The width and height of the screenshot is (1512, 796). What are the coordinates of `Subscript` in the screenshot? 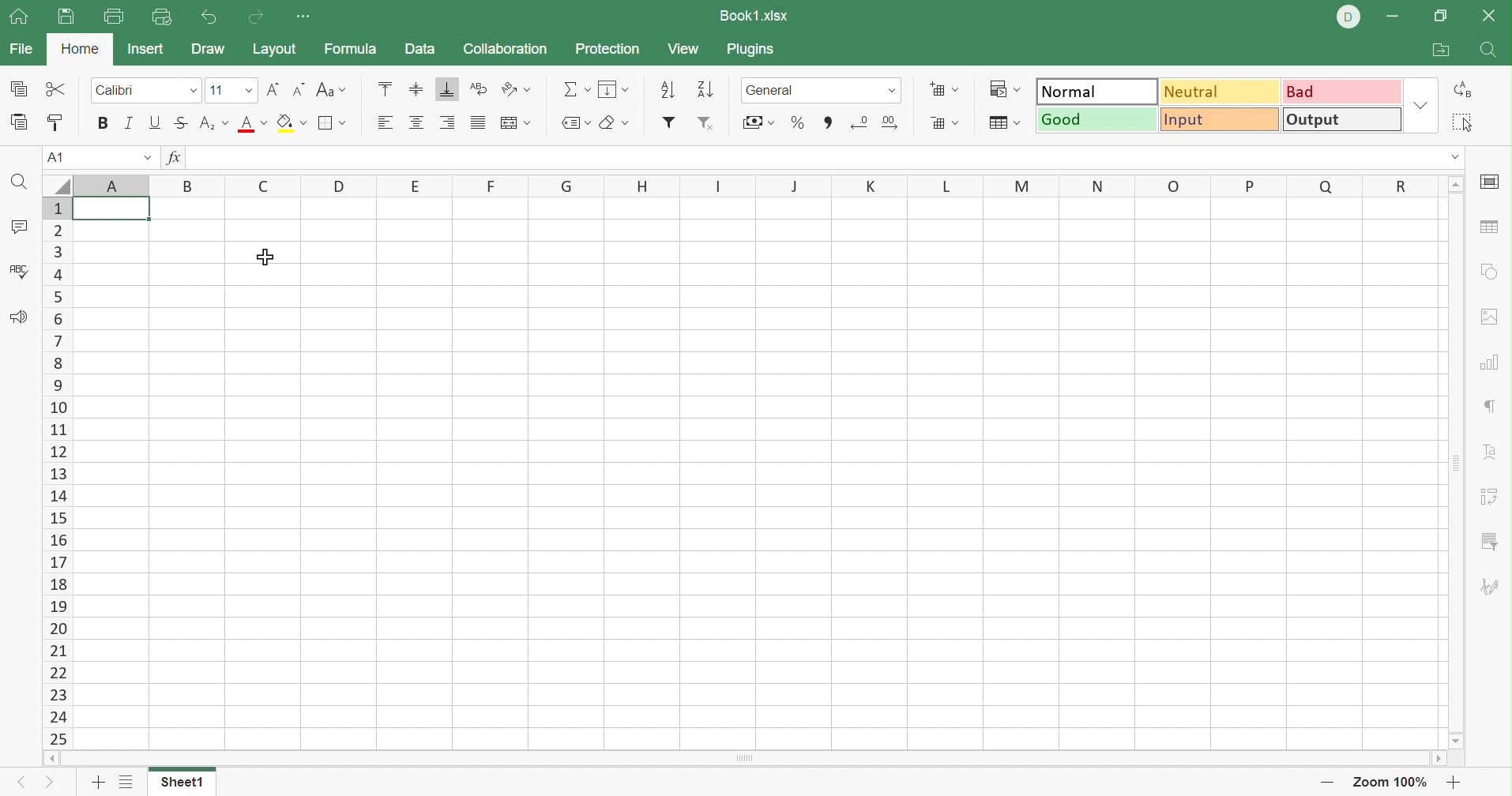 It's located at (213, 122).